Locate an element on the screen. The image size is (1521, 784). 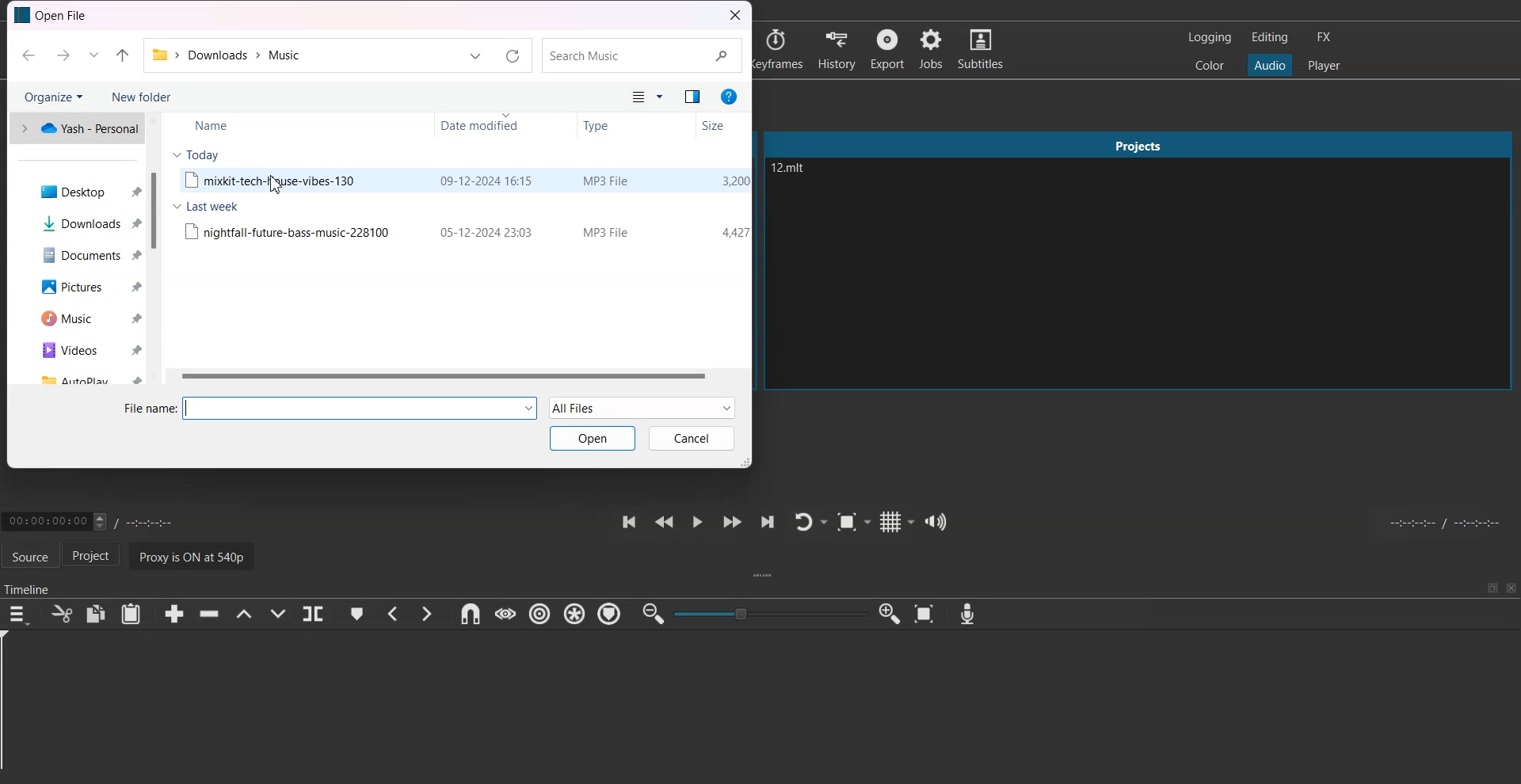
Search bar is located at coordinates (641, 56).